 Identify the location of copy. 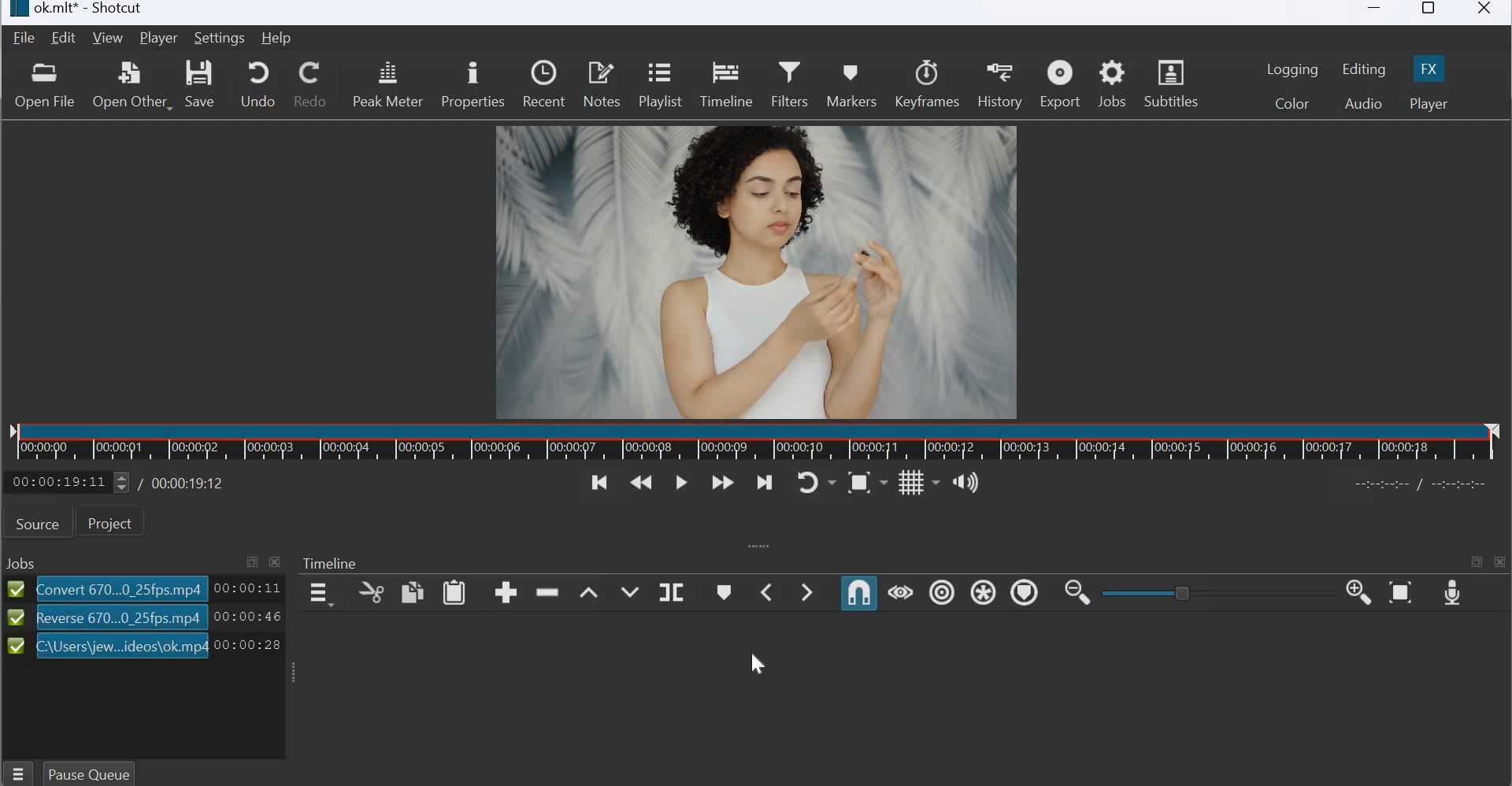
(409, 592).